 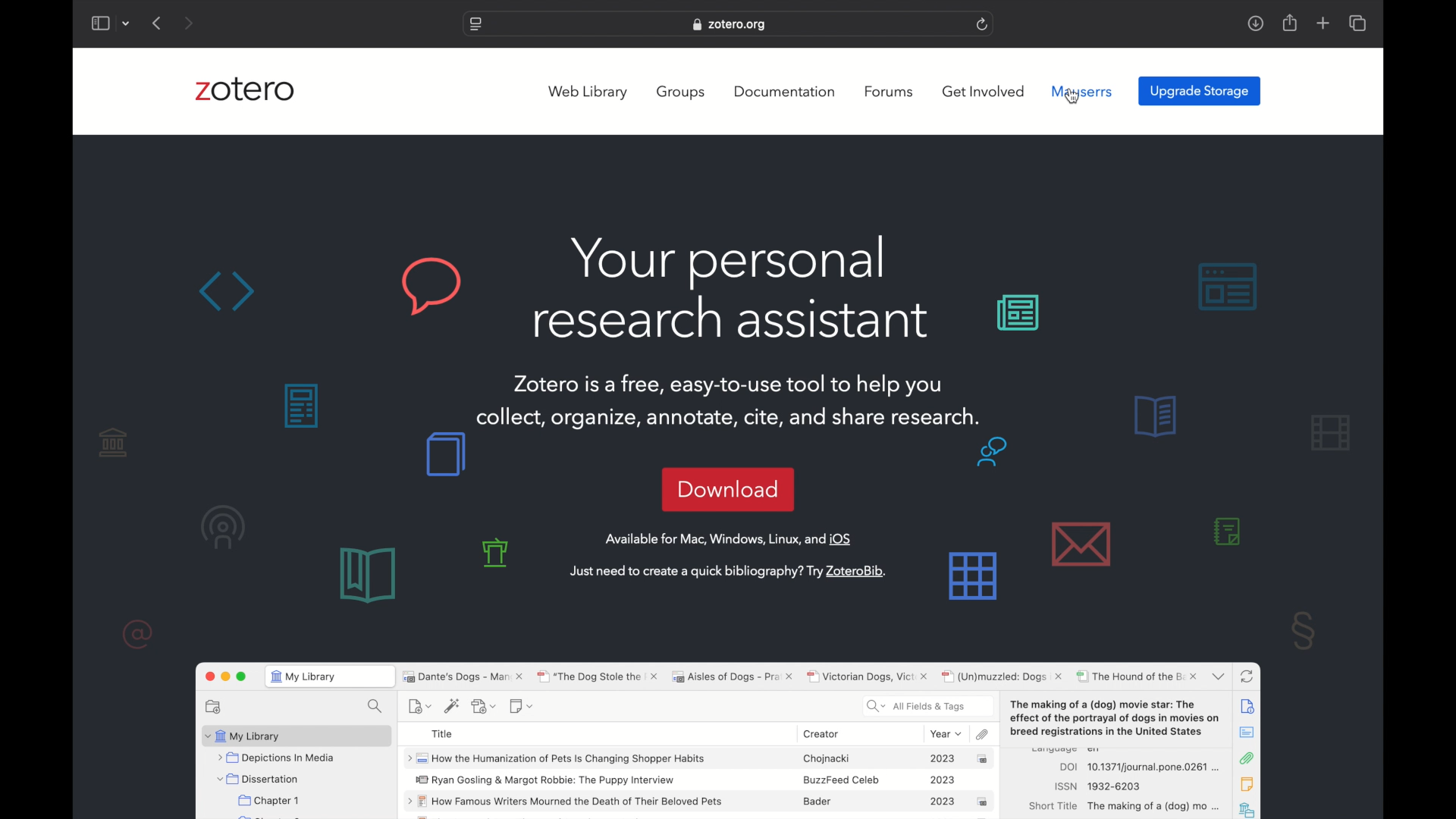 What do you see at coordinates (891, 92) in the screenshot?
I see `forums` at bounding box center [891, 92].